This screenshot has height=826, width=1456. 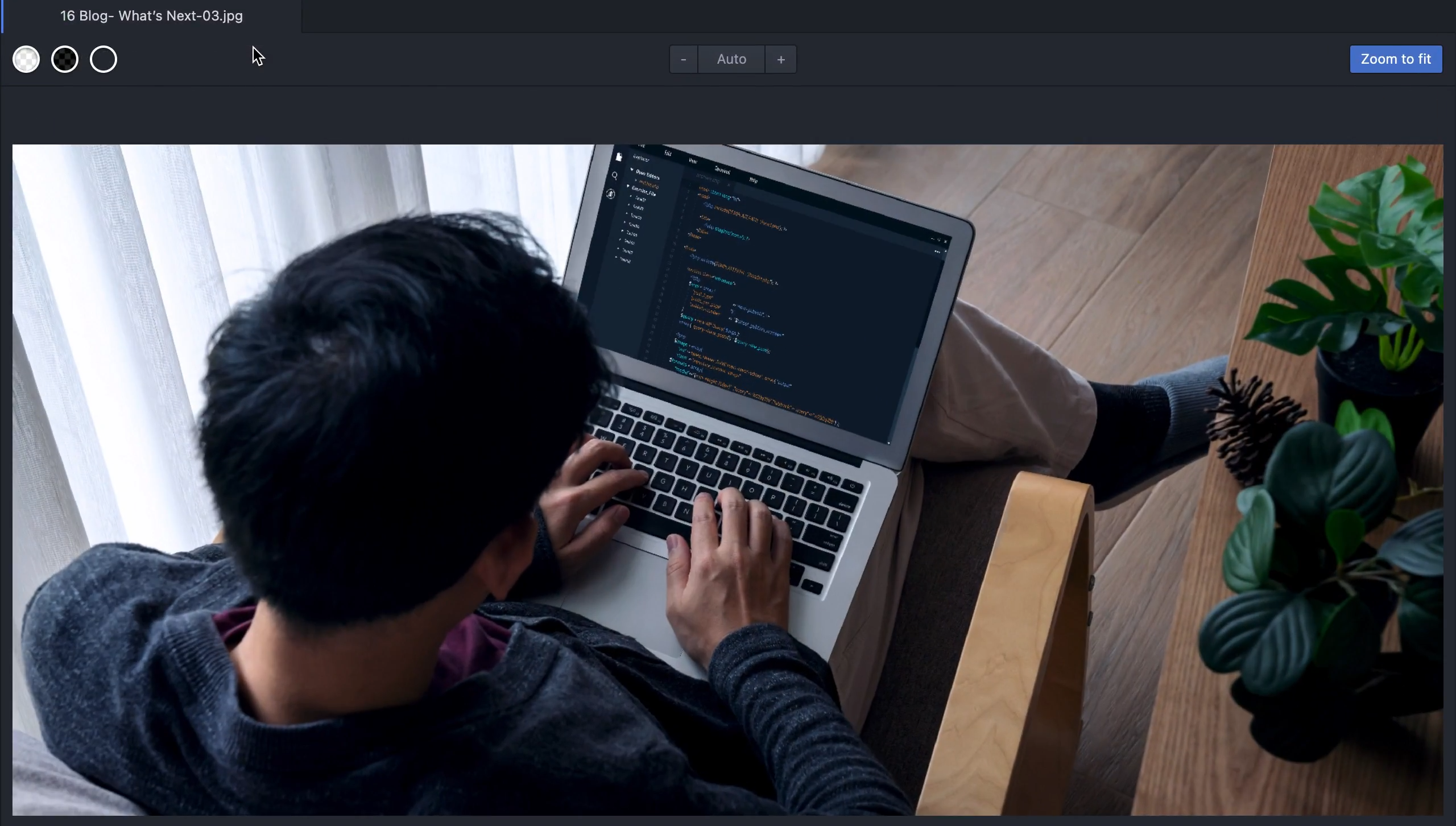 What do you see at coordinates (731, 478) in the screenshot?
I see `full screen preview` at bounding box center [731, 478].